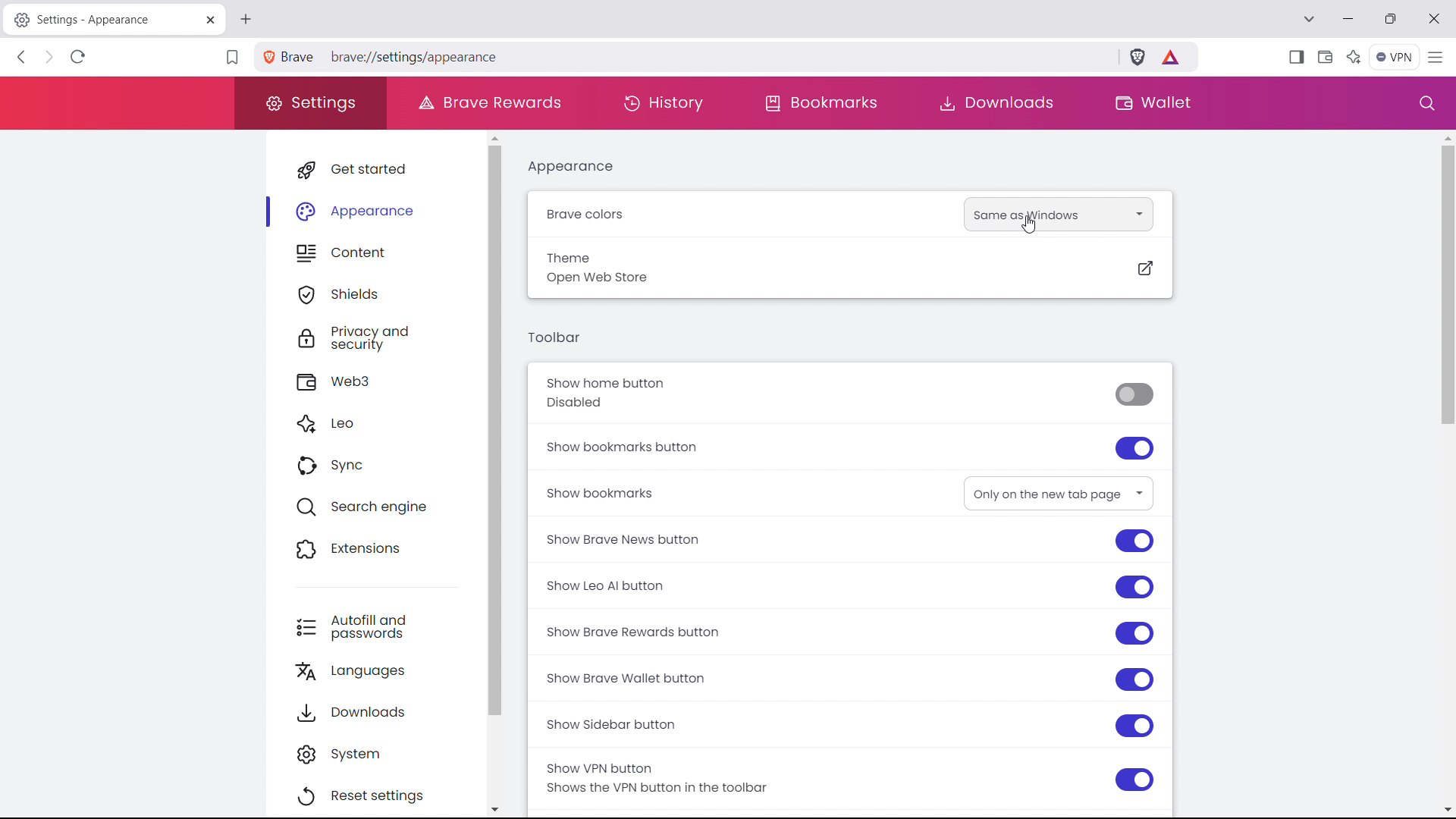 The width and height of the screenshot is (1456, 819). What do you see at coordinates (1151, 104) in the screenshot?
I see `wallet` at bounding box center [1151, 104].